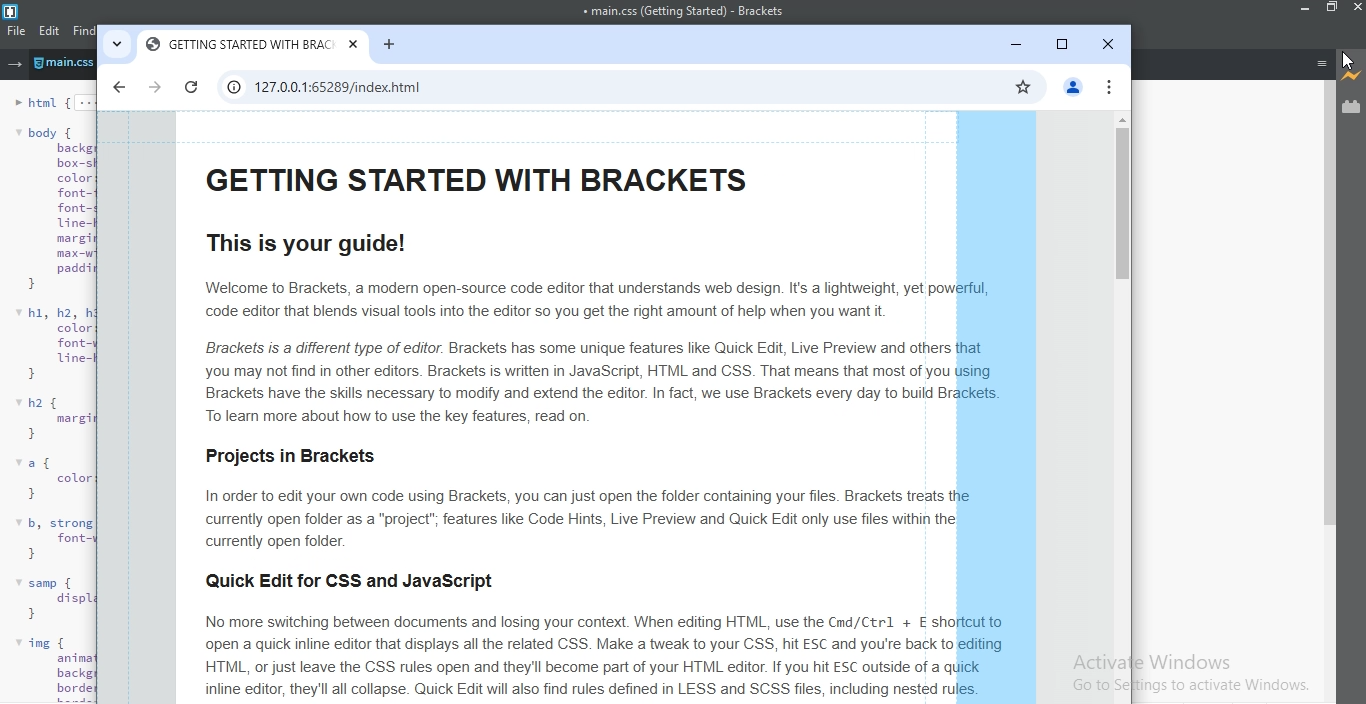 Image resolution: width=1366 pixels, height=704 pixels. I want to click on live preview, so click(1351, 78).